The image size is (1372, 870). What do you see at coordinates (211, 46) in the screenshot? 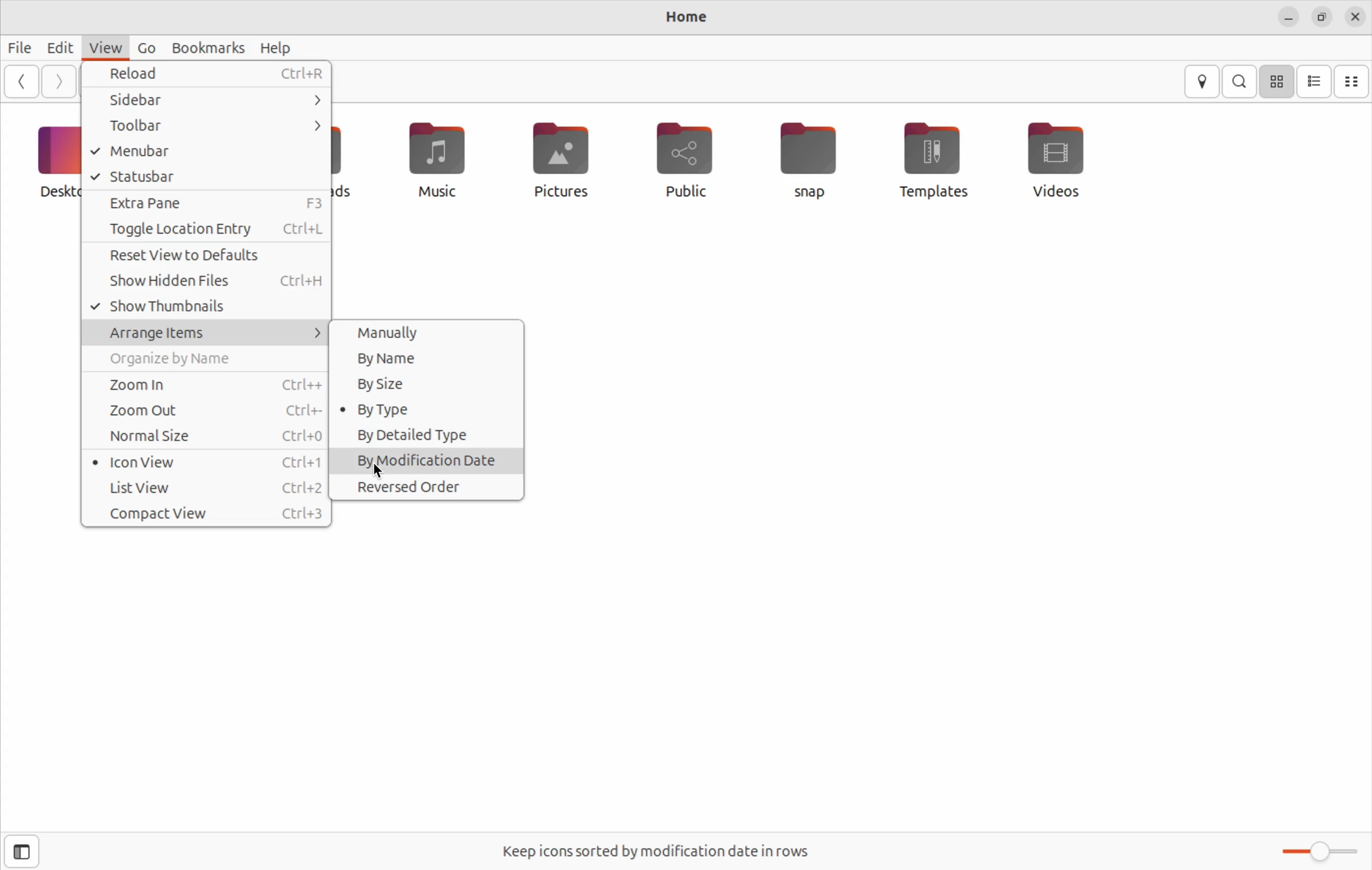
I see `bookmarks` at bounding box center [211, 46].